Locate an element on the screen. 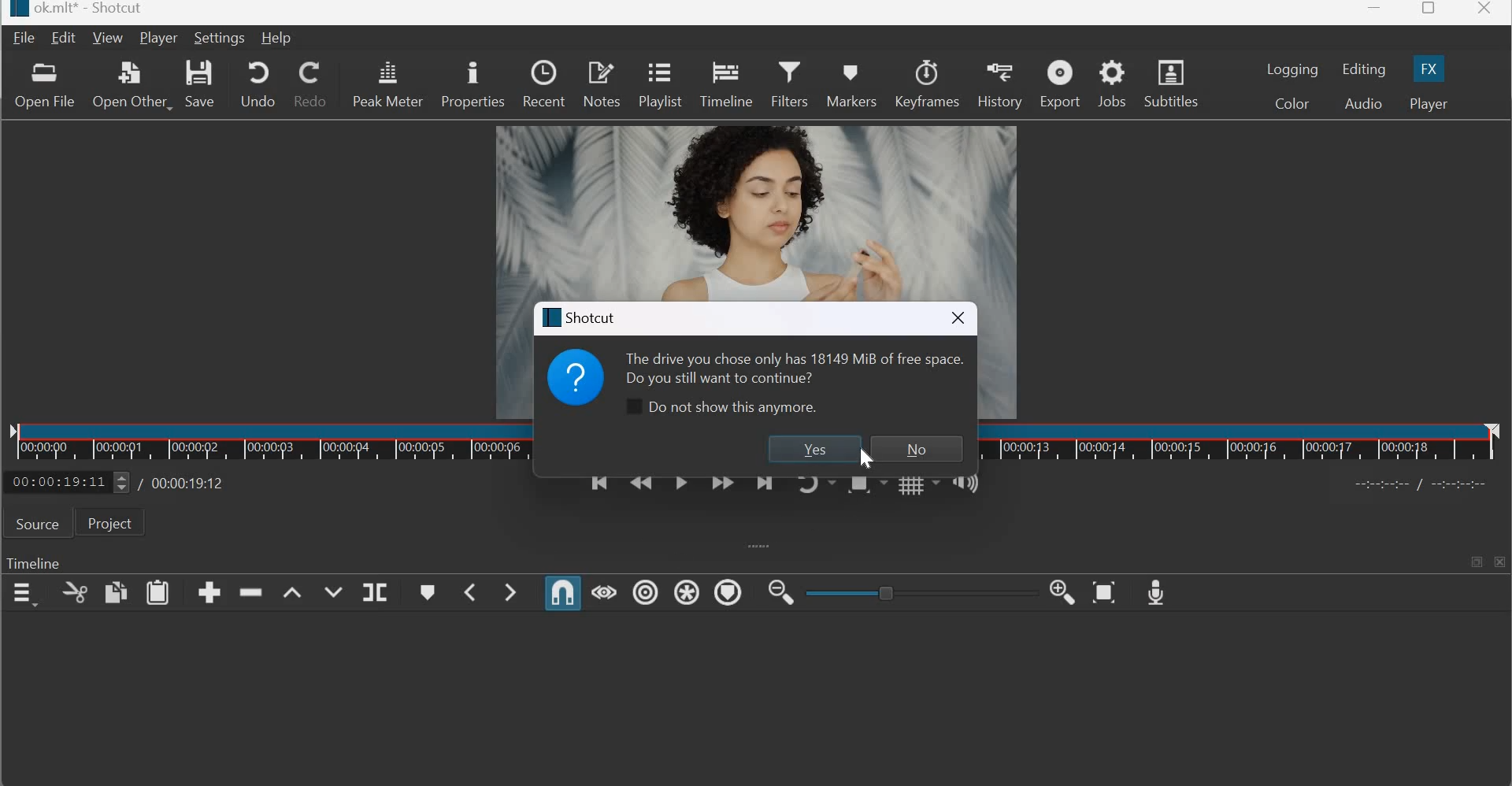  Export is located at coordinates (1060, 84).